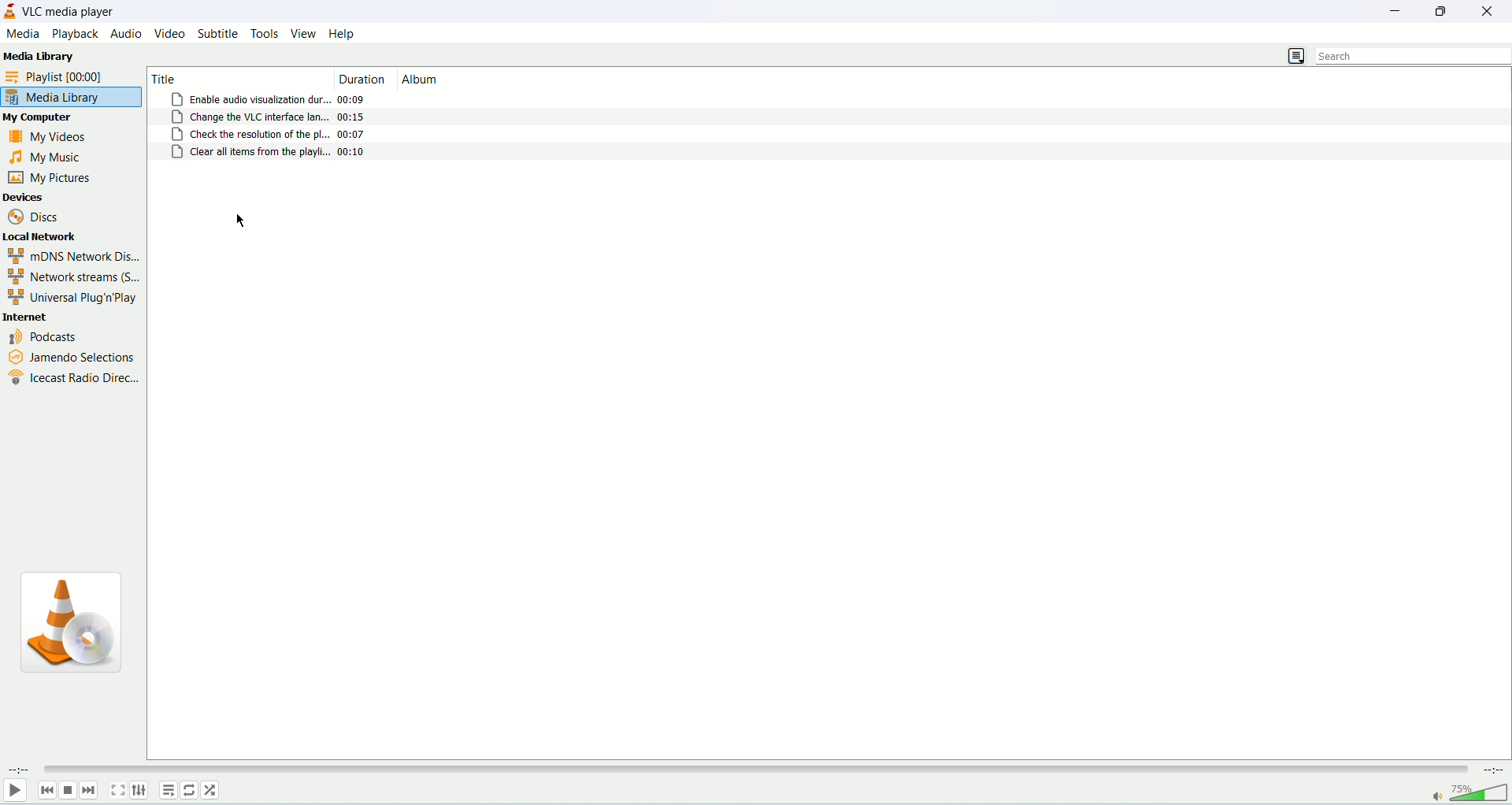  I want to click on loop, so click(190, 790).